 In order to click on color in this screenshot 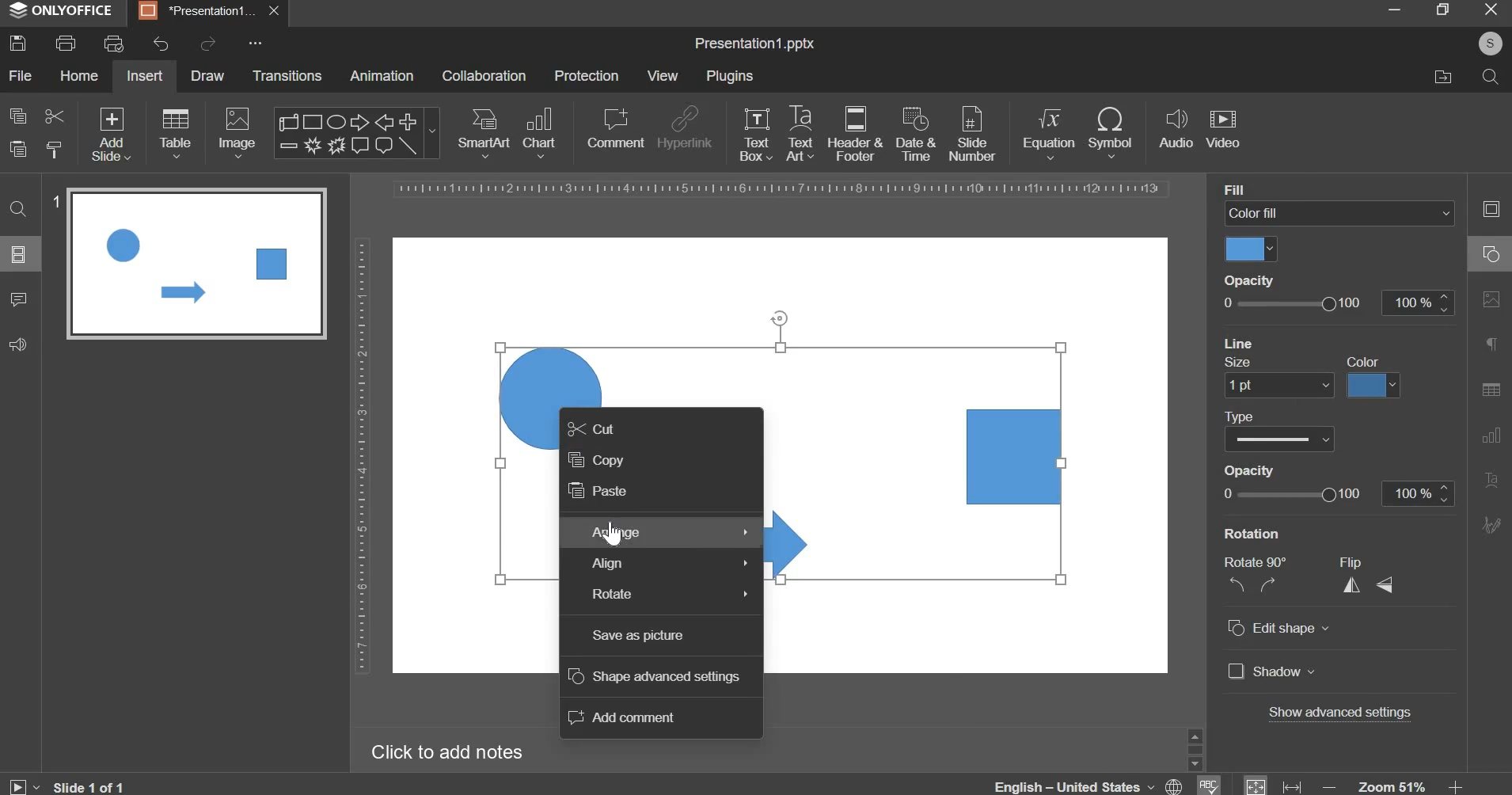, I will do `click(1369, 361)`.